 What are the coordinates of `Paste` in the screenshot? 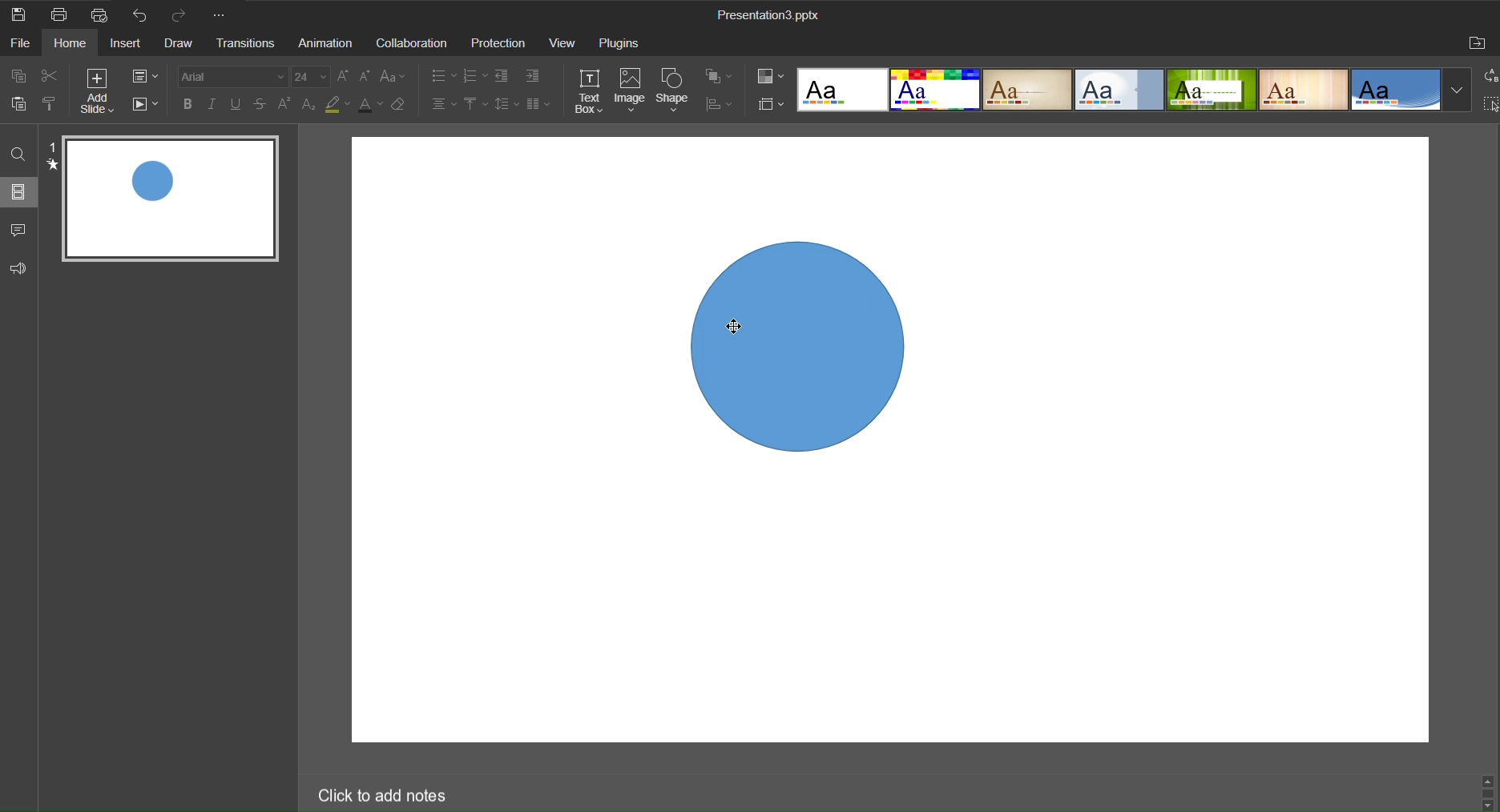 It's located at (18, 107).